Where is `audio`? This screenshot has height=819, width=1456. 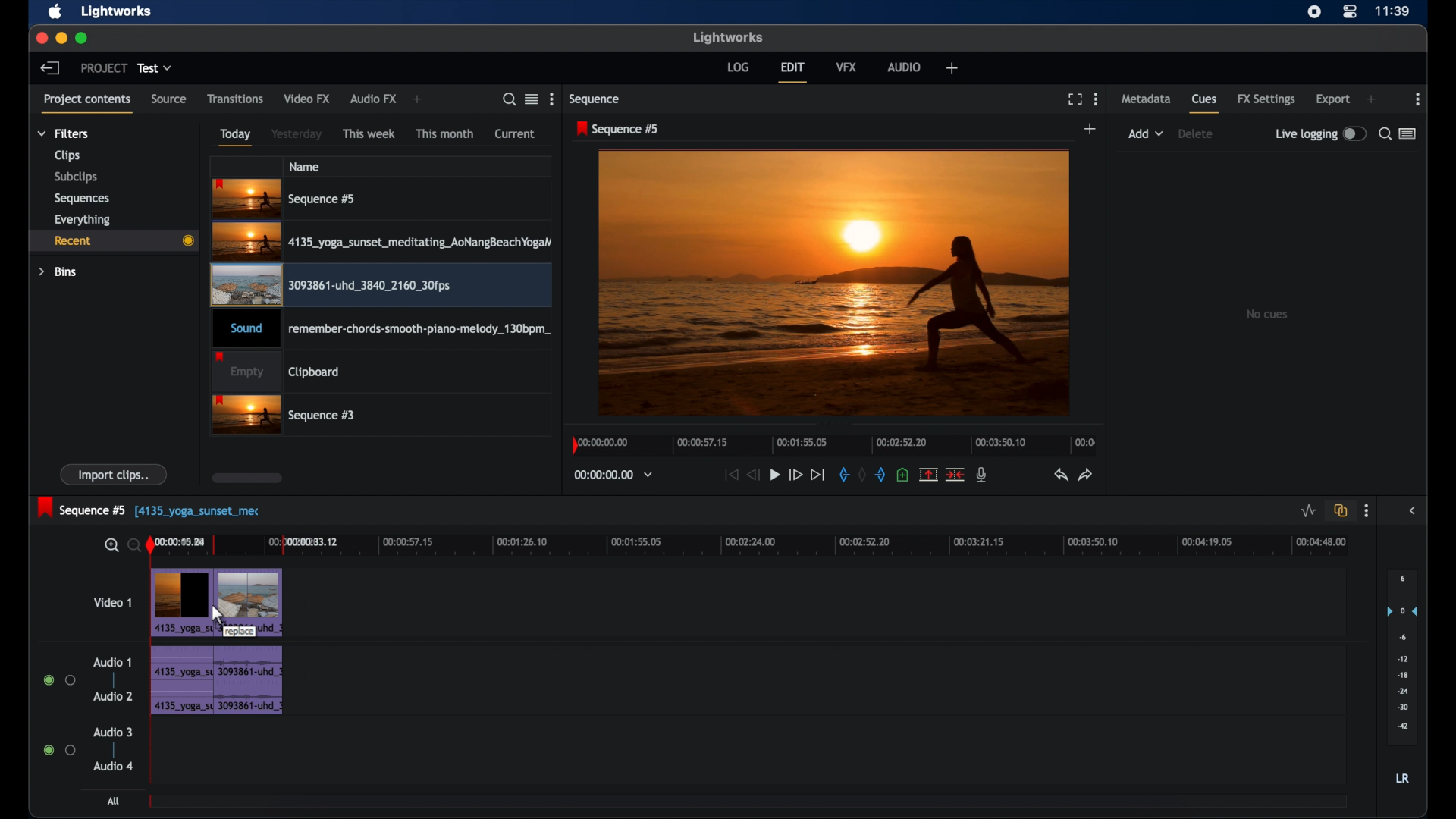 audio is located at coordinates (904, 67).